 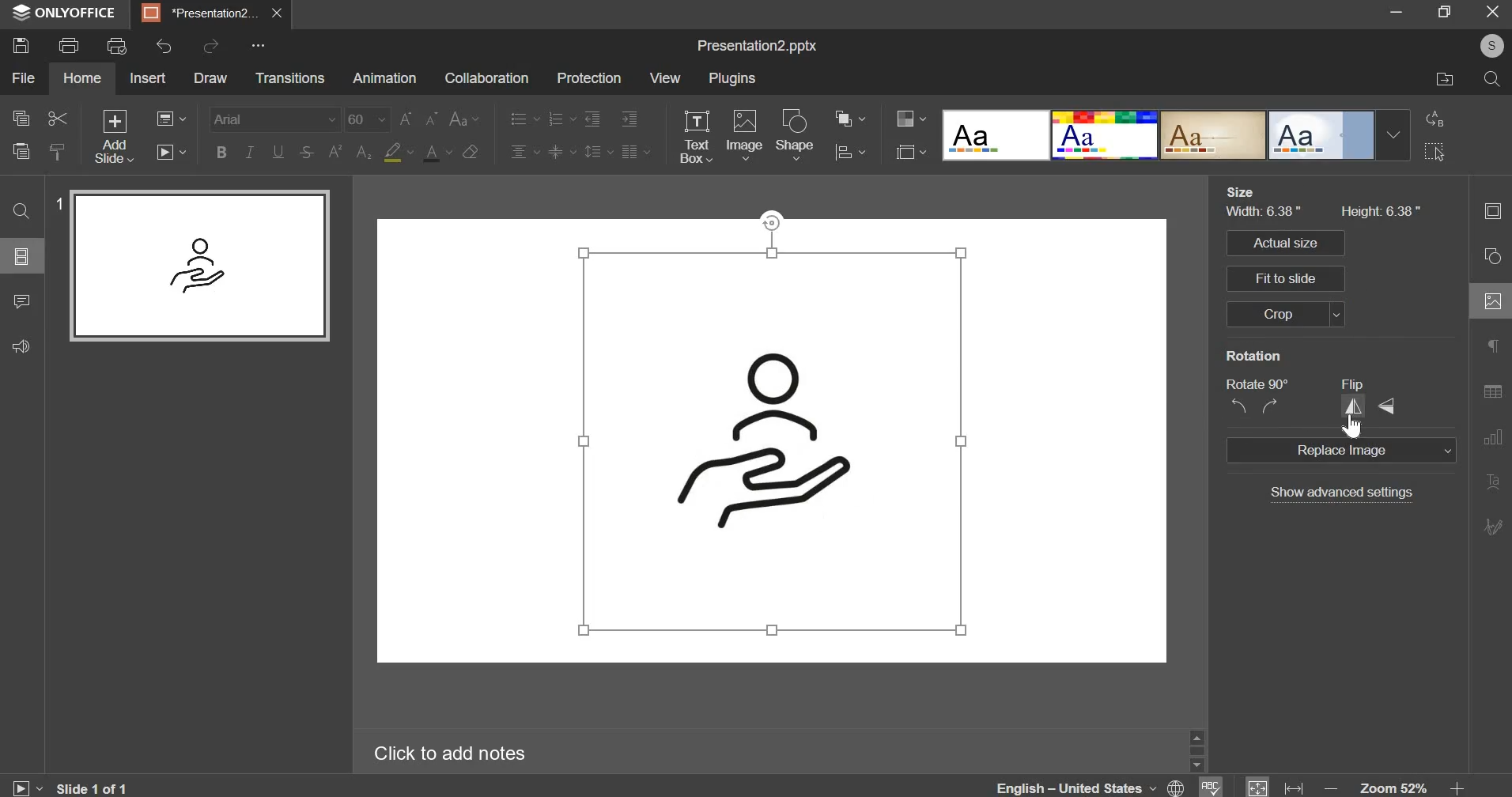 What do you see at coordinates (909, 151) in the screenshot?
I see `slide size` at bounding box center [909, 151].